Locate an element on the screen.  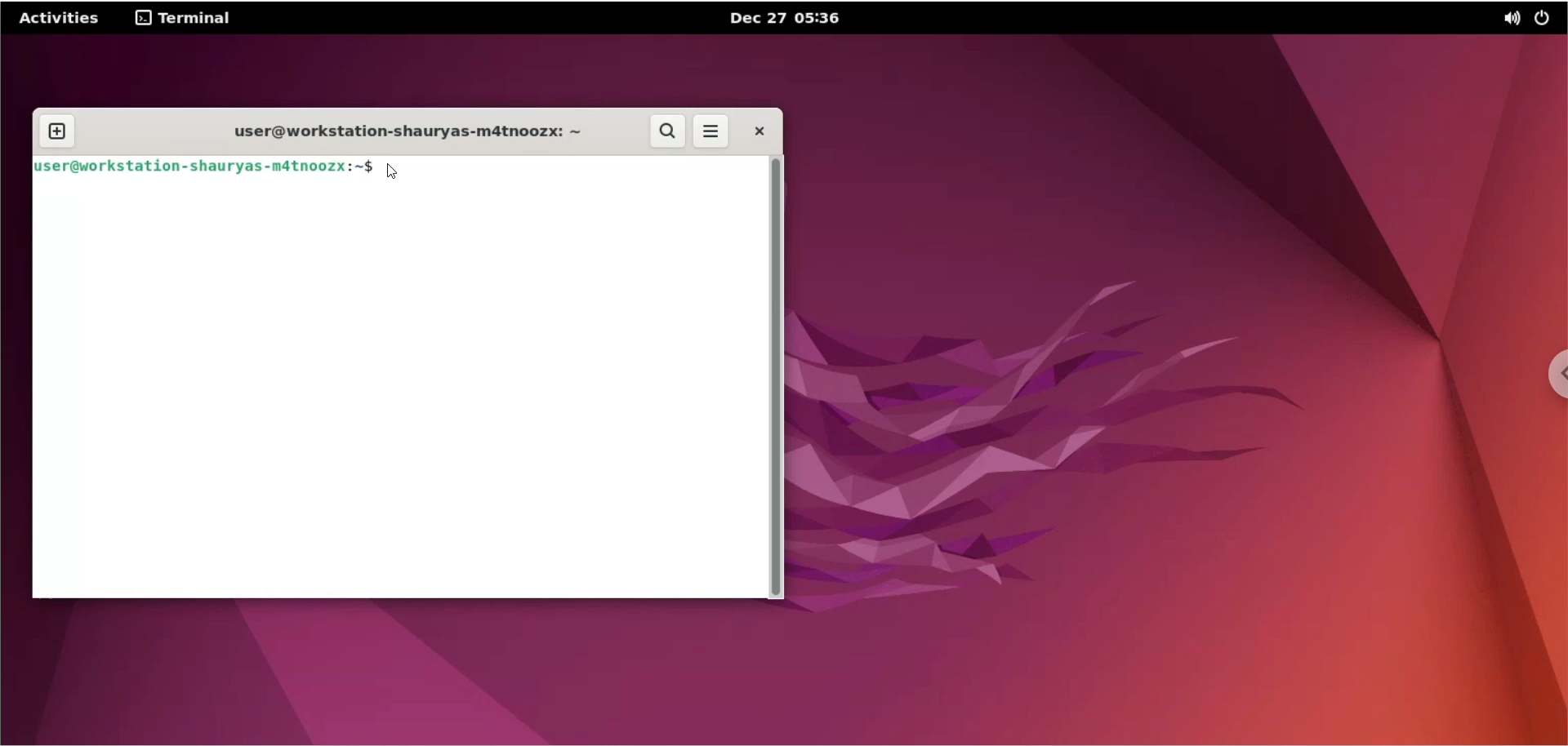
Activities is located at coordinates (60, 16).